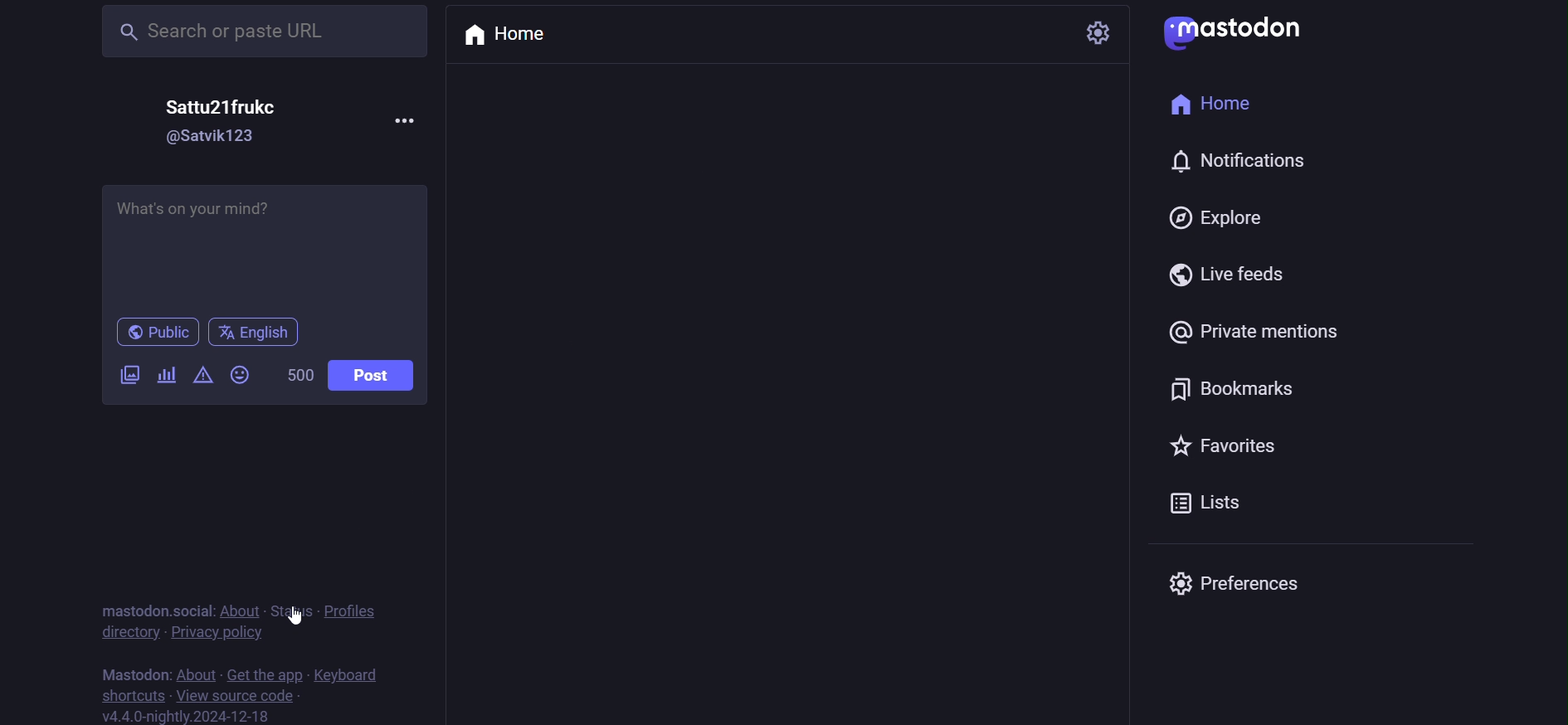 The image size is (1568, 725). I want to click on name, so click(226, 102).